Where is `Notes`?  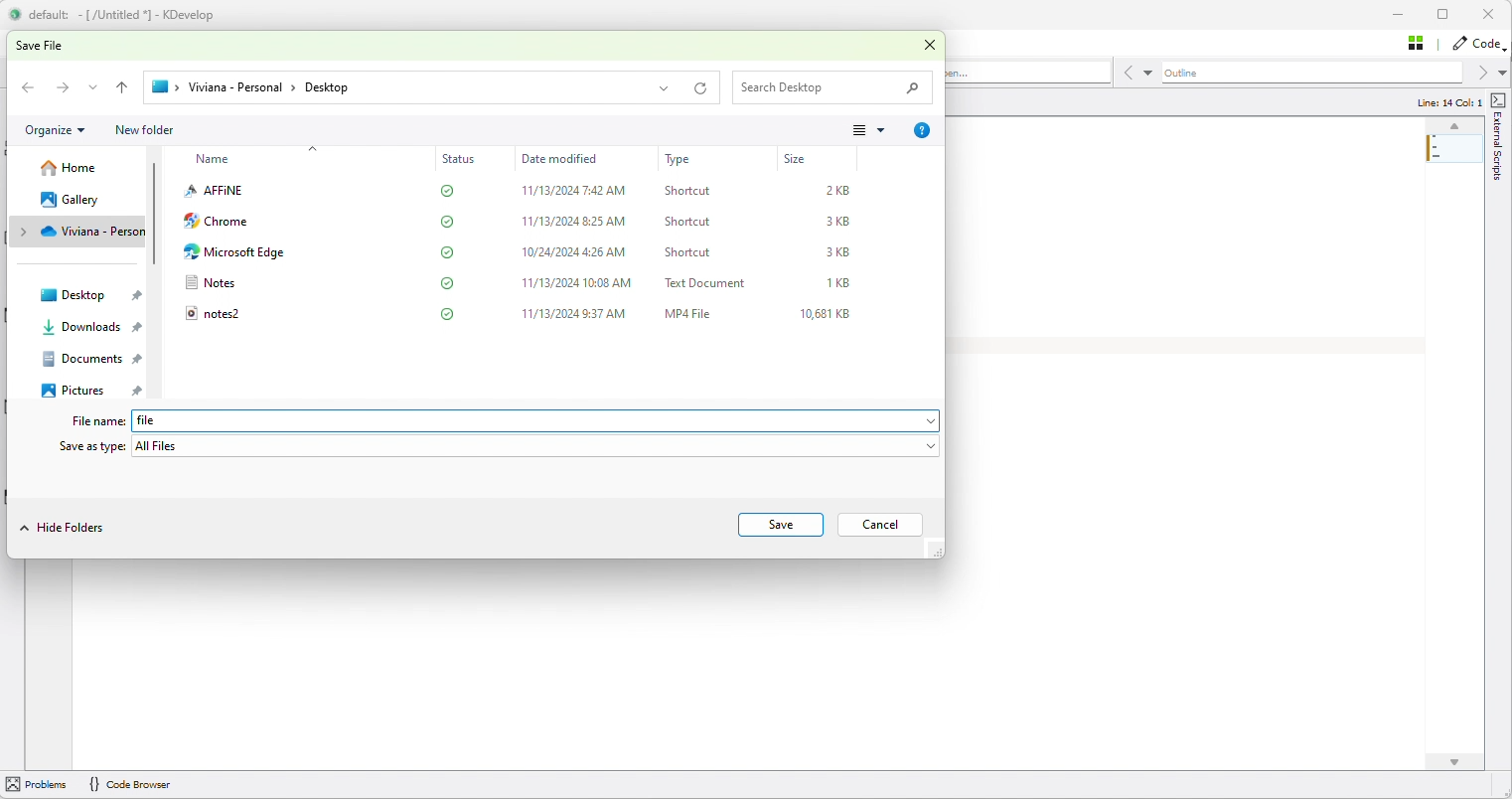 Notes is located at coordinates (211, 281).